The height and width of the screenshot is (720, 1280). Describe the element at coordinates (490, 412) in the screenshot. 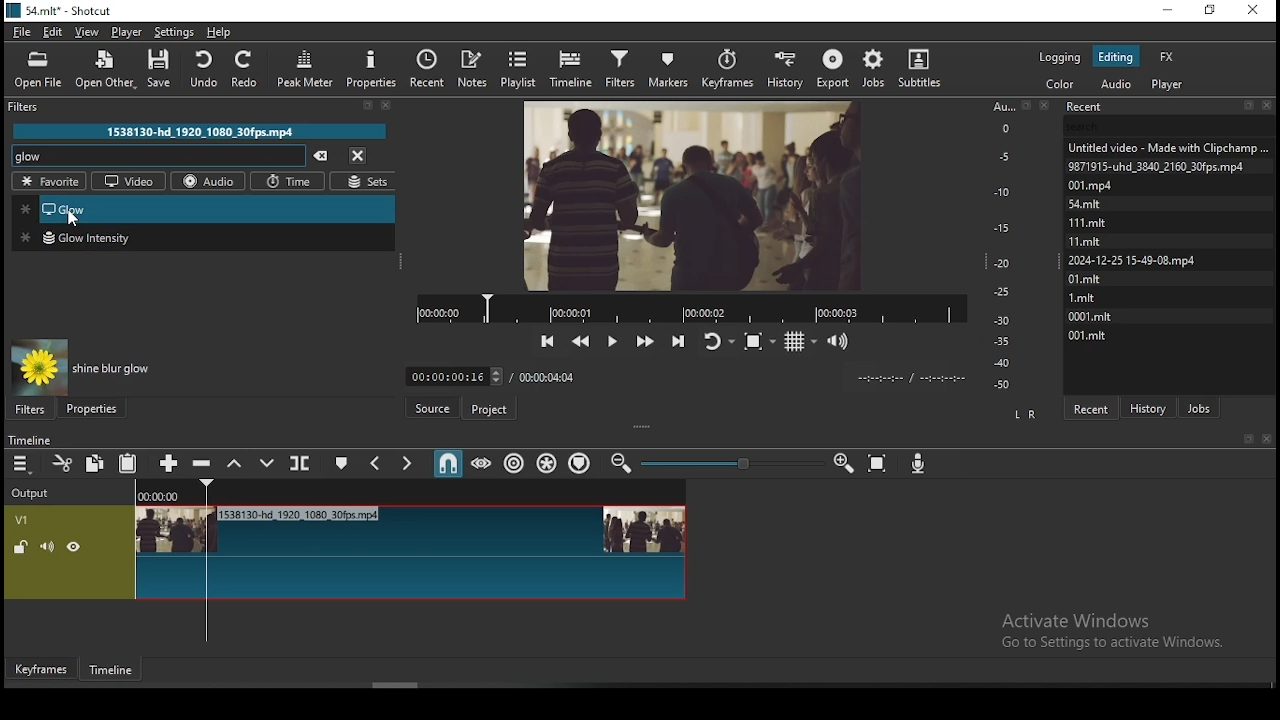

I see `project` at that location.